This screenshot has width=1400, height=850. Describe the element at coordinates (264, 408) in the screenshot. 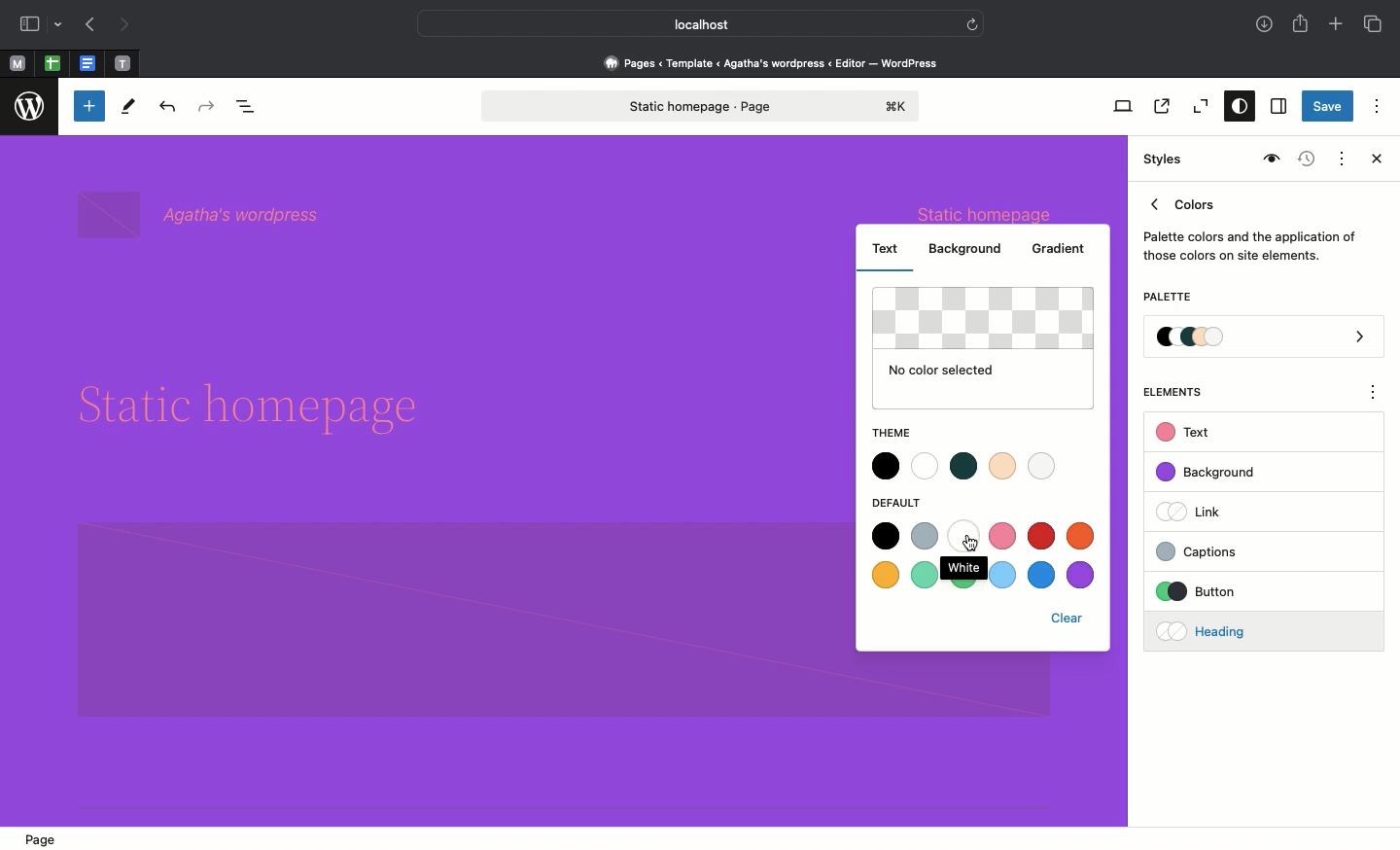

I see `Headline` at that location.